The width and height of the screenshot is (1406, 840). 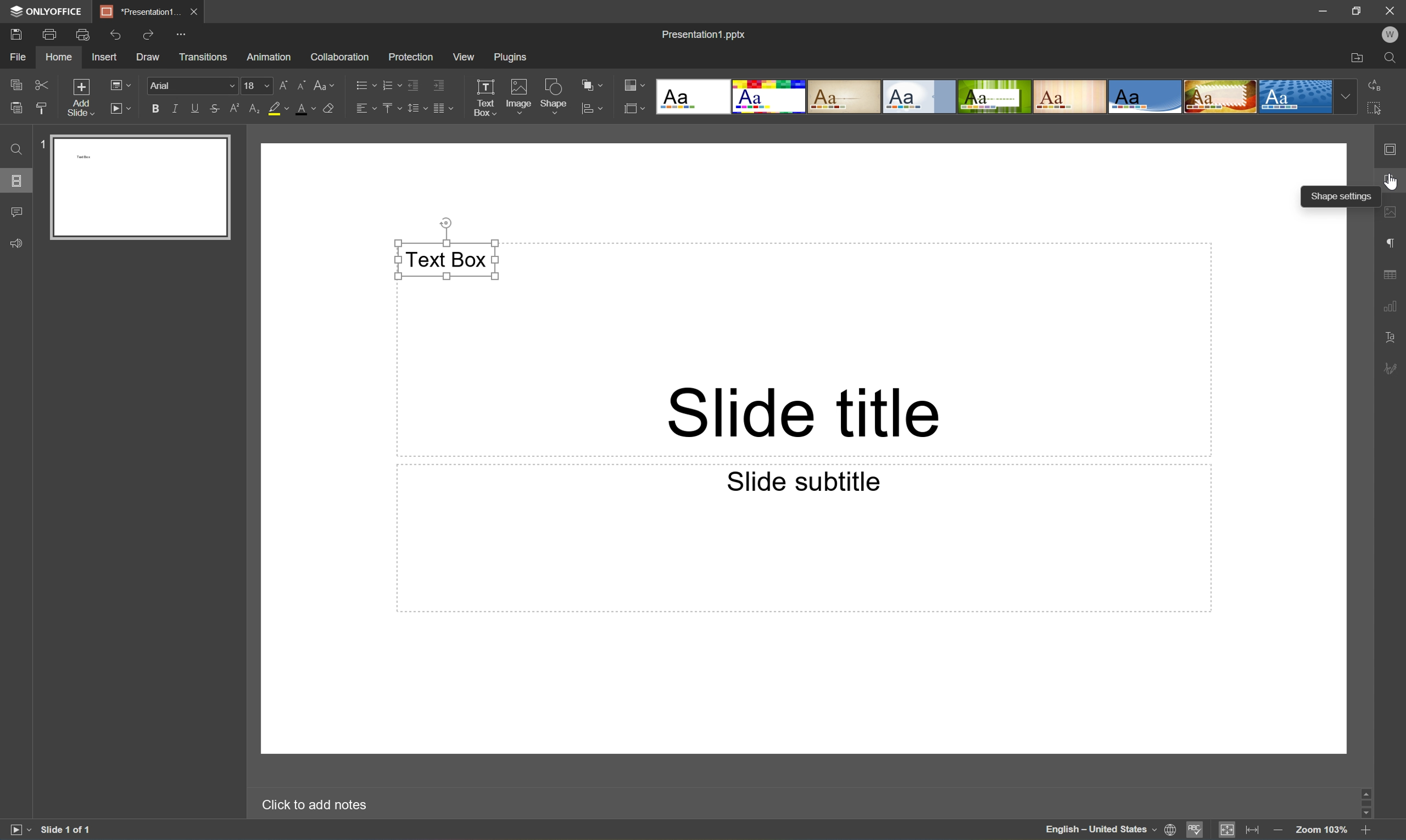 I want to click on Change color theme, so click(x=632, y=83).